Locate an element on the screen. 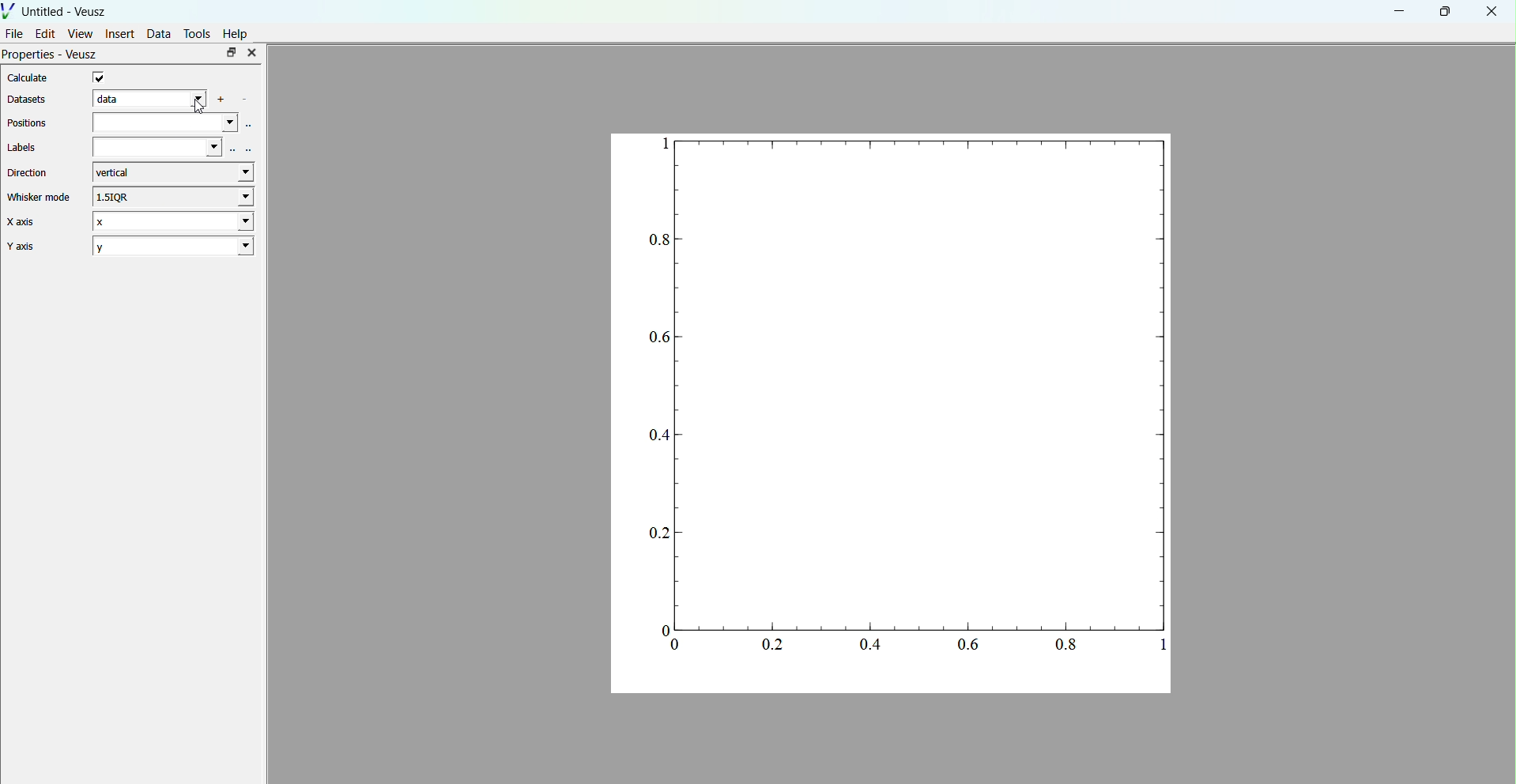 This screenshot has width=1516, height=784. Whisker mode is located at coordinates (38, 198).